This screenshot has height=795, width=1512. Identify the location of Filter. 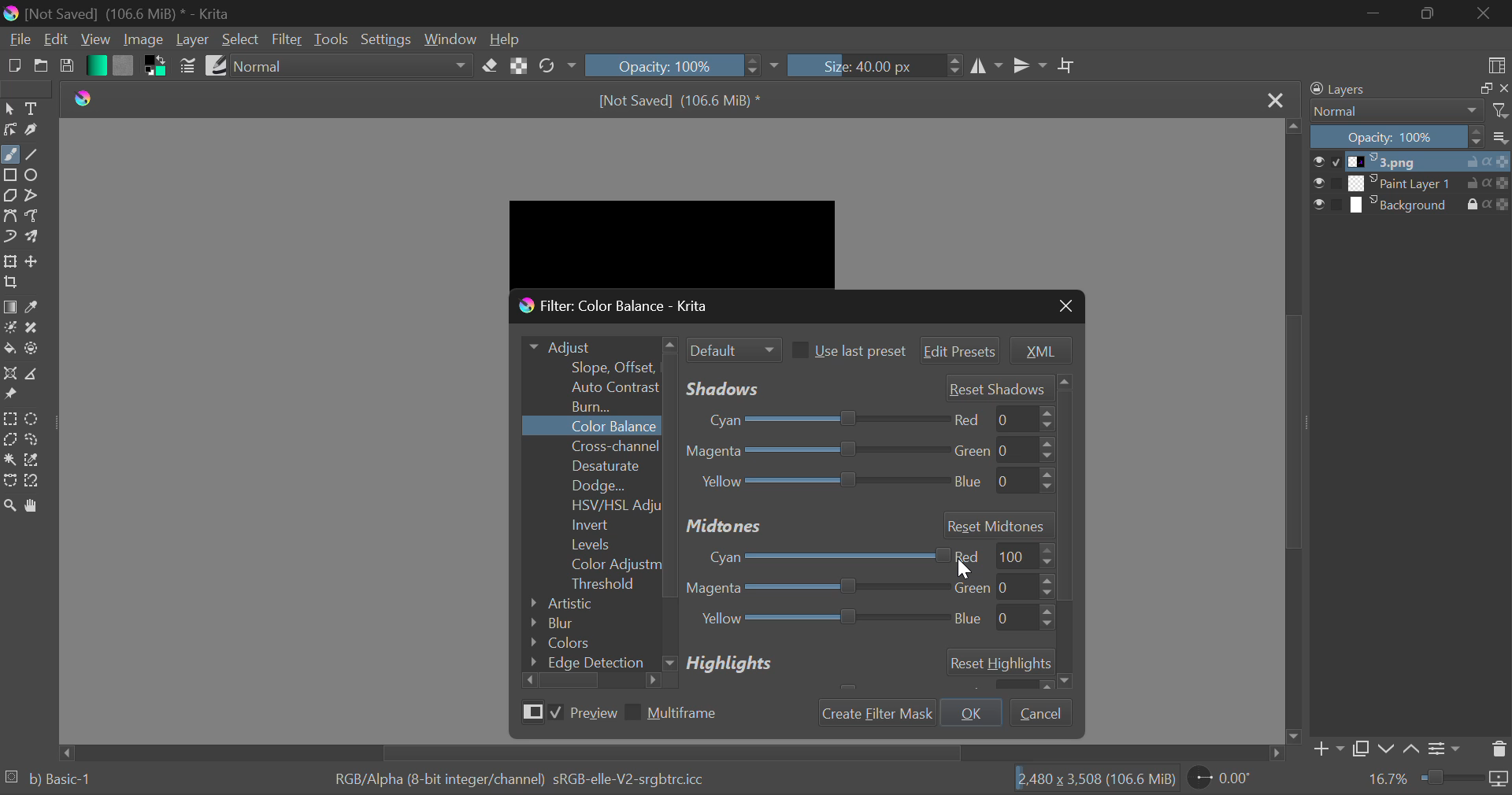
(287, 40).